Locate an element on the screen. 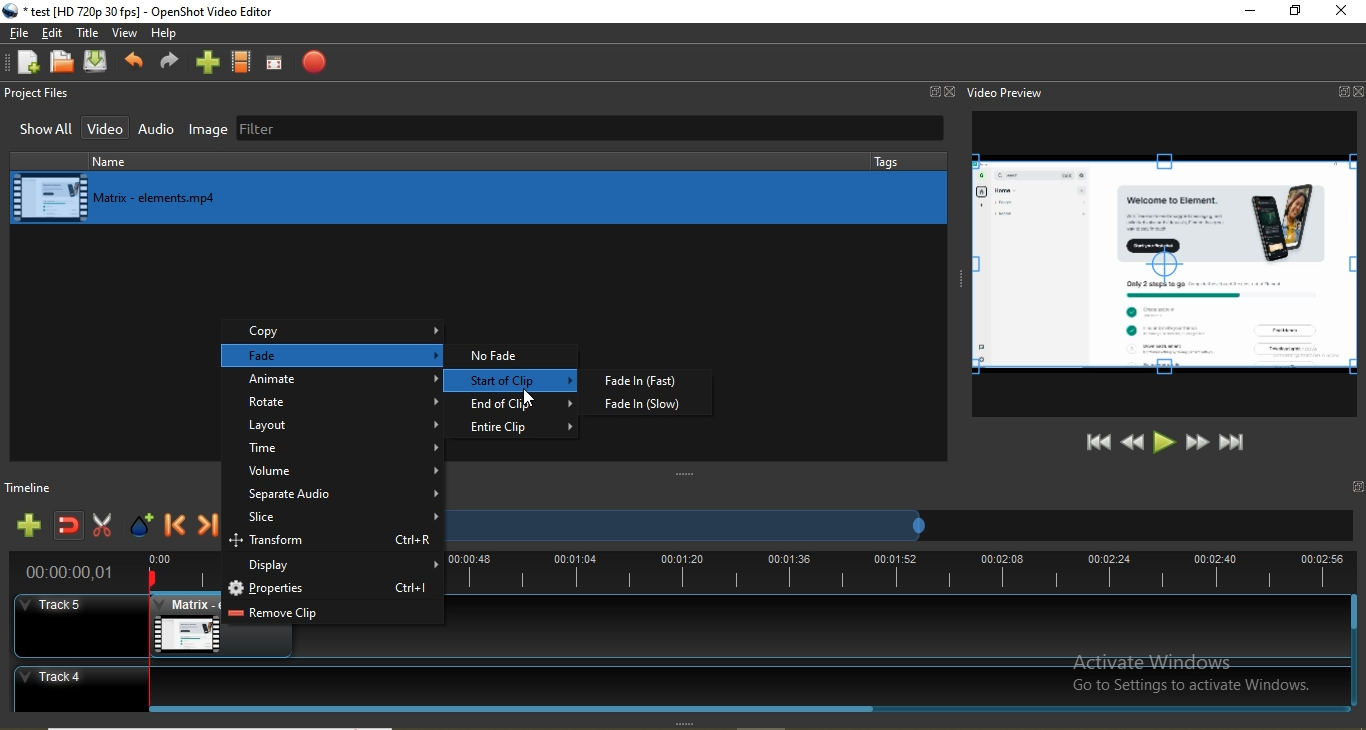 The image size is (1366, 730). media library is located at coordinates (479, 196).